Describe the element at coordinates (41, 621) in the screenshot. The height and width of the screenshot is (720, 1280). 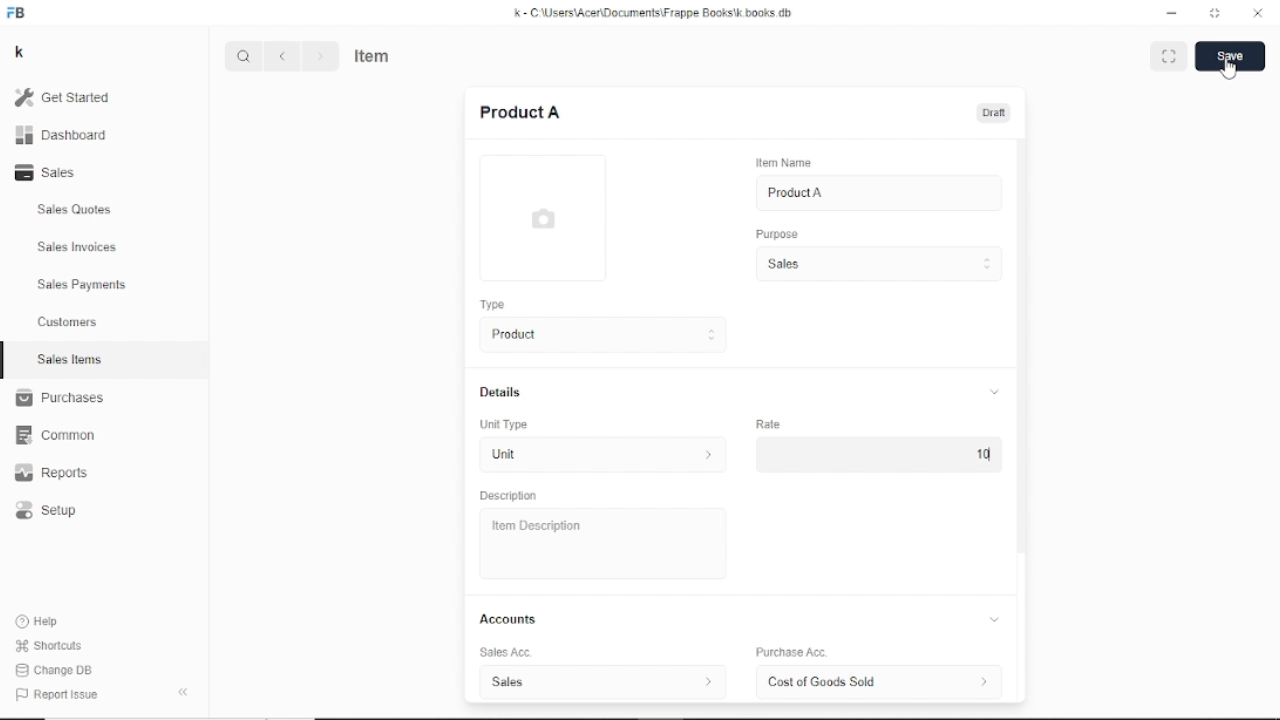
I see `Help` at that location.